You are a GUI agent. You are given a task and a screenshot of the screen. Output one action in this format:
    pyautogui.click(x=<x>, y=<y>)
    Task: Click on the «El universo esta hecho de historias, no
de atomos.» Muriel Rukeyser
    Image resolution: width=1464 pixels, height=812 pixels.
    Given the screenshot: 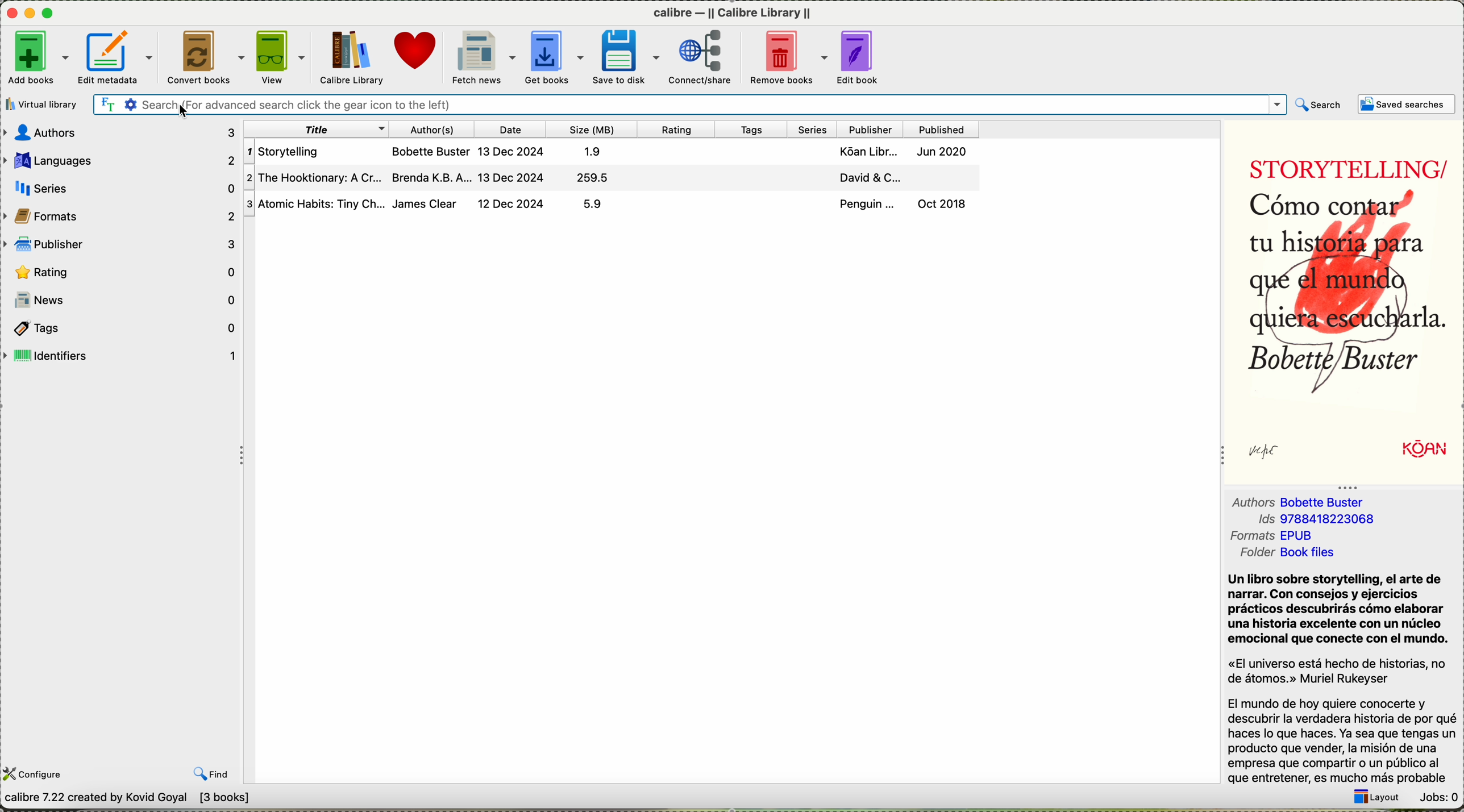 What is the action you would take?
    pyautogui.click(x=1340, y=672)
    